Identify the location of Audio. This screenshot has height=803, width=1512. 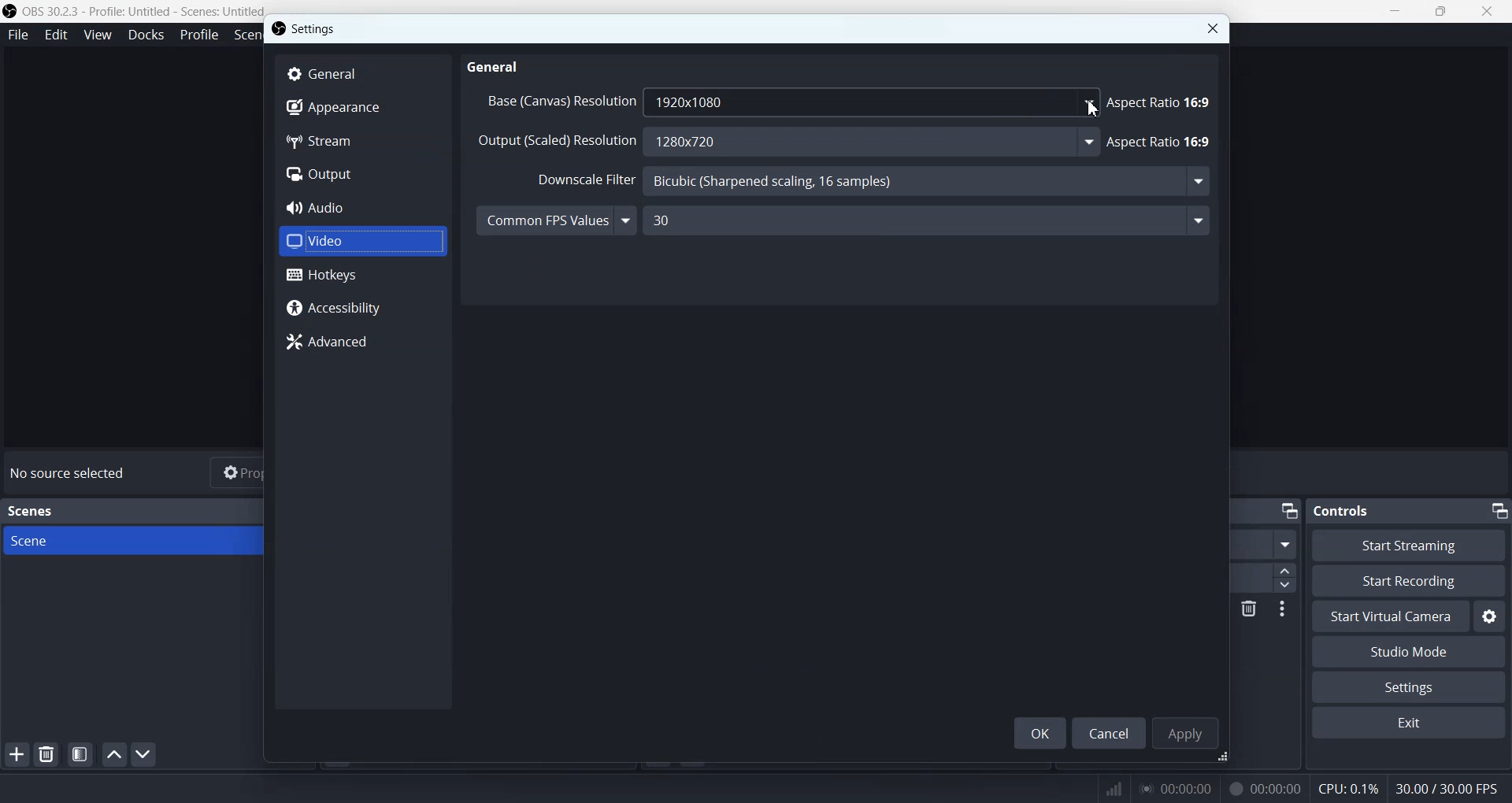
(361, 208).